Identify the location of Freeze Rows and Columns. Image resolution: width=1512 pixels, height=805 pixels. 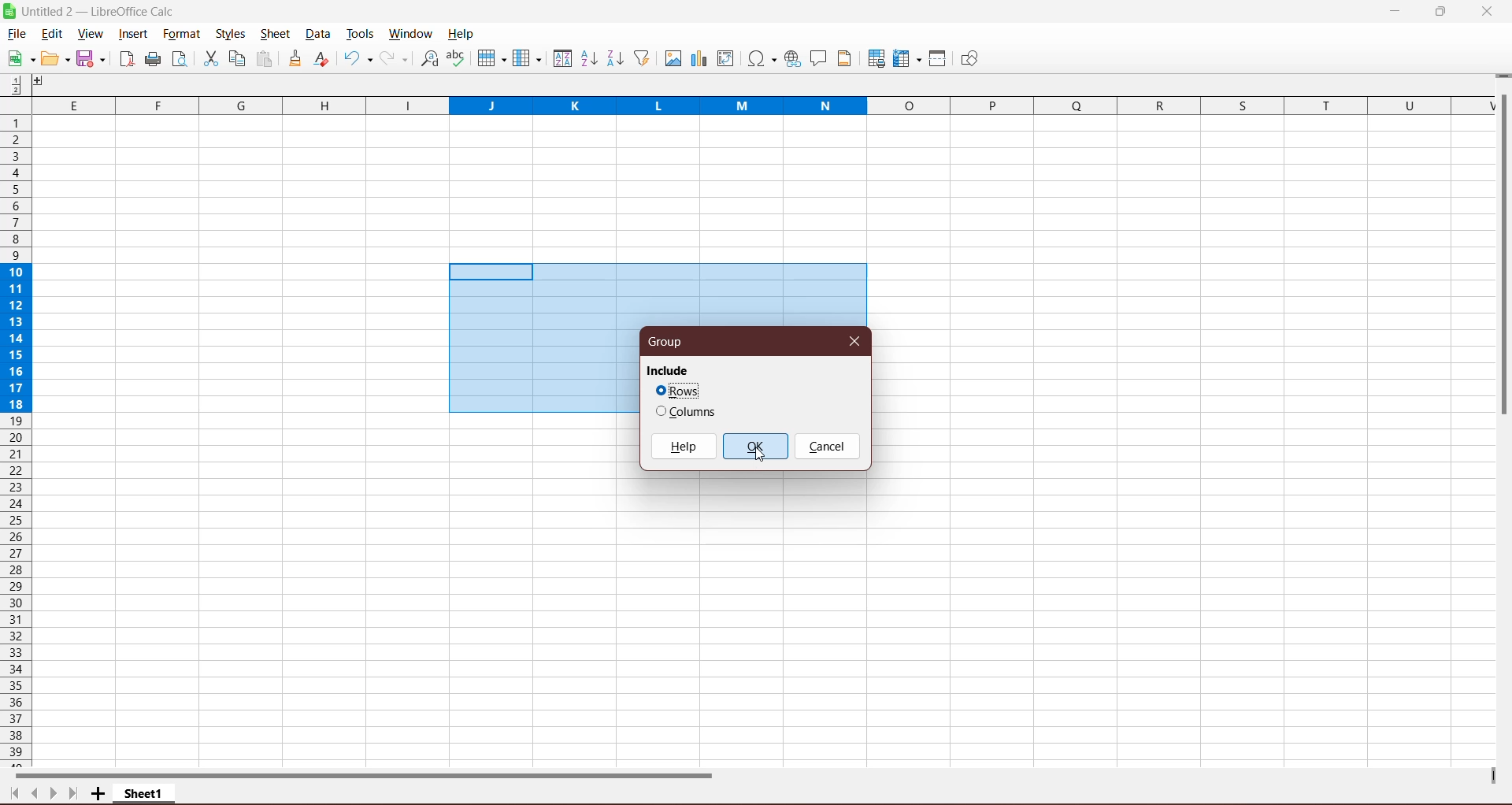
(908, 59).